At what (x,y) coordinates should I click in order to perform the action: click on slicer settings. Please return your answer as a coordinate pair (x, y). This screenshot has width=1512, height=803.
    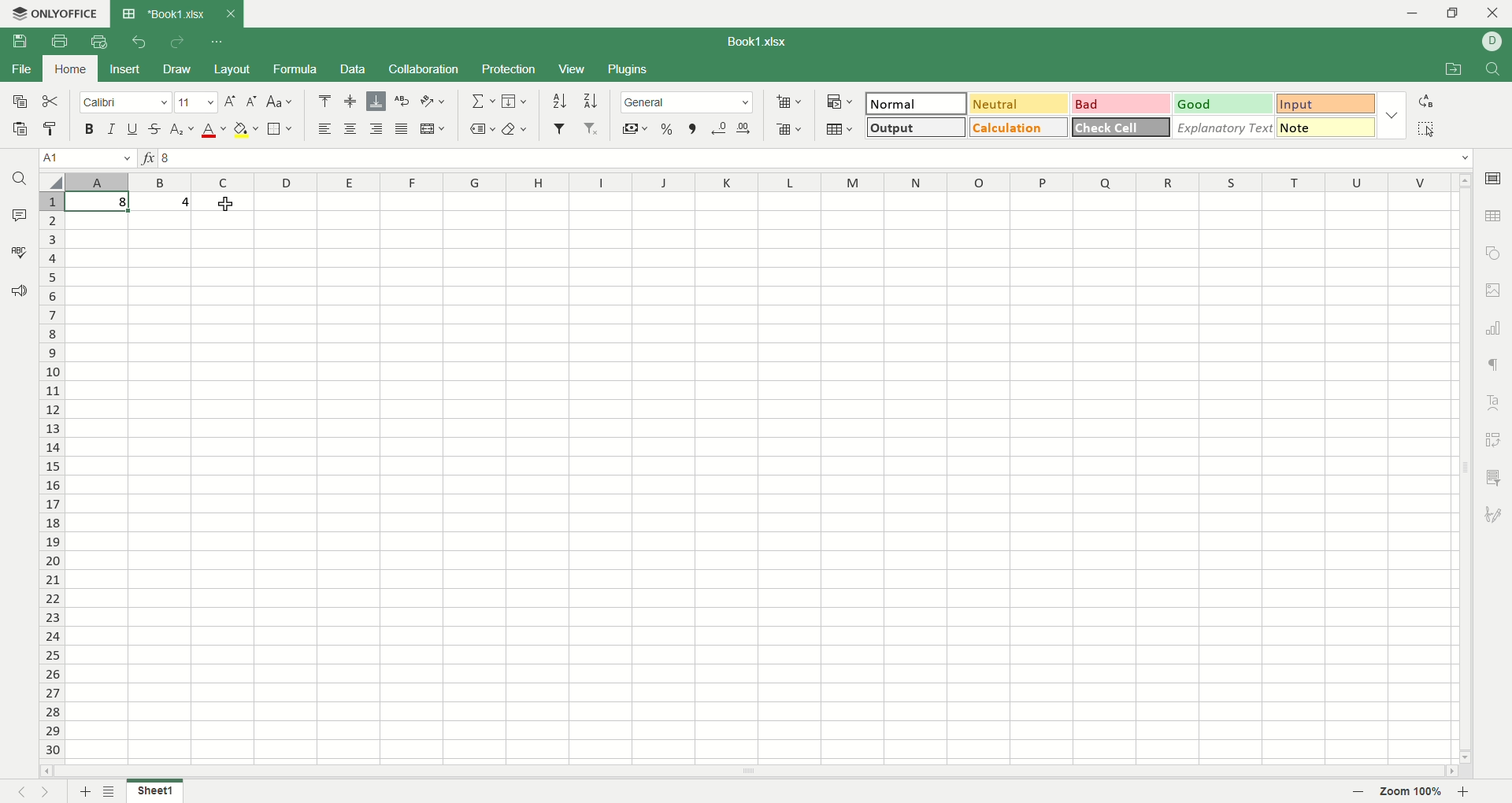
    Looking at the image, I should click on (1494, 479).